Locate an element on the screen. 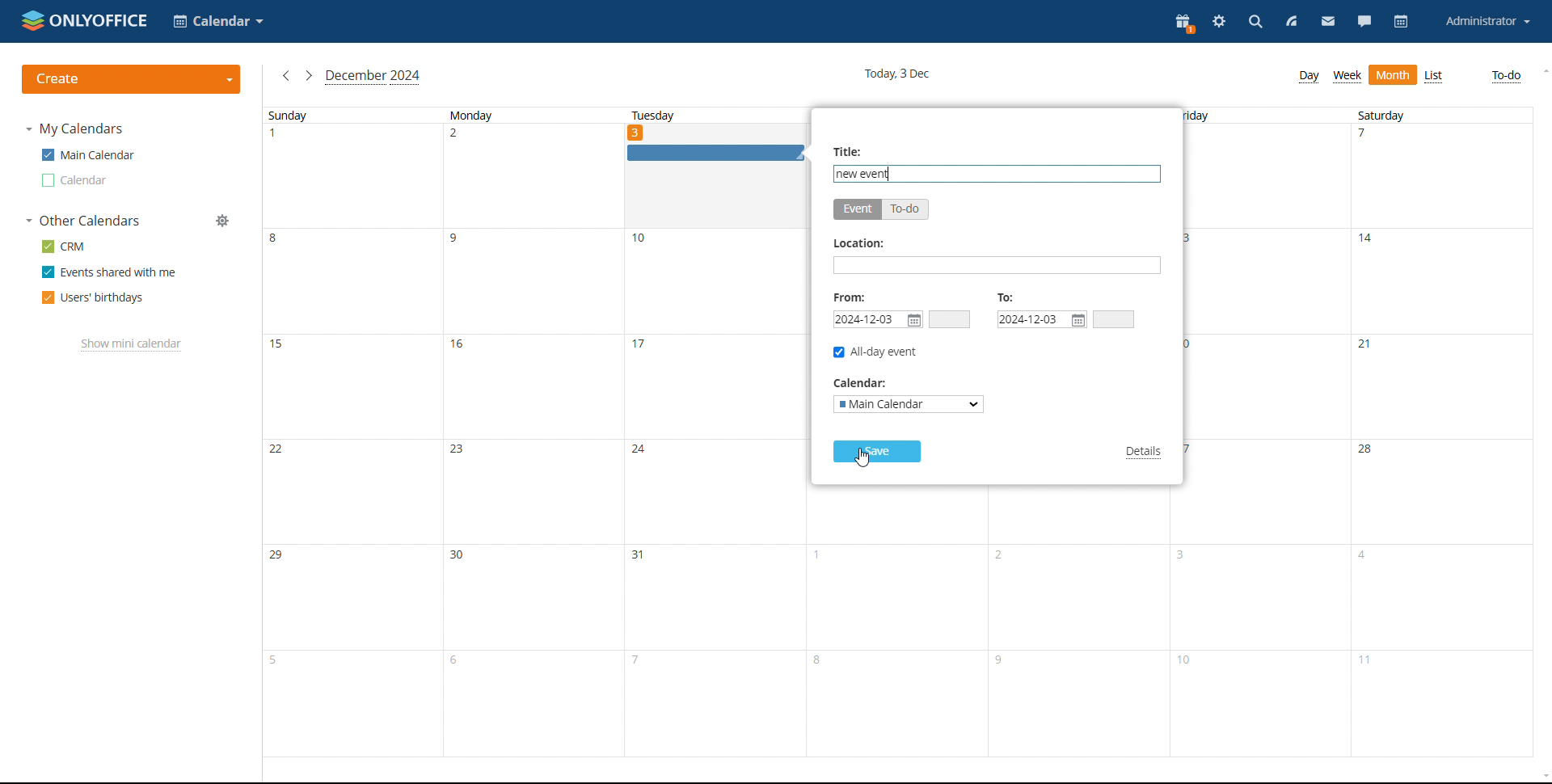 This screenshot has height=784, width=1552. settings is located at coordinates (1221, 23).